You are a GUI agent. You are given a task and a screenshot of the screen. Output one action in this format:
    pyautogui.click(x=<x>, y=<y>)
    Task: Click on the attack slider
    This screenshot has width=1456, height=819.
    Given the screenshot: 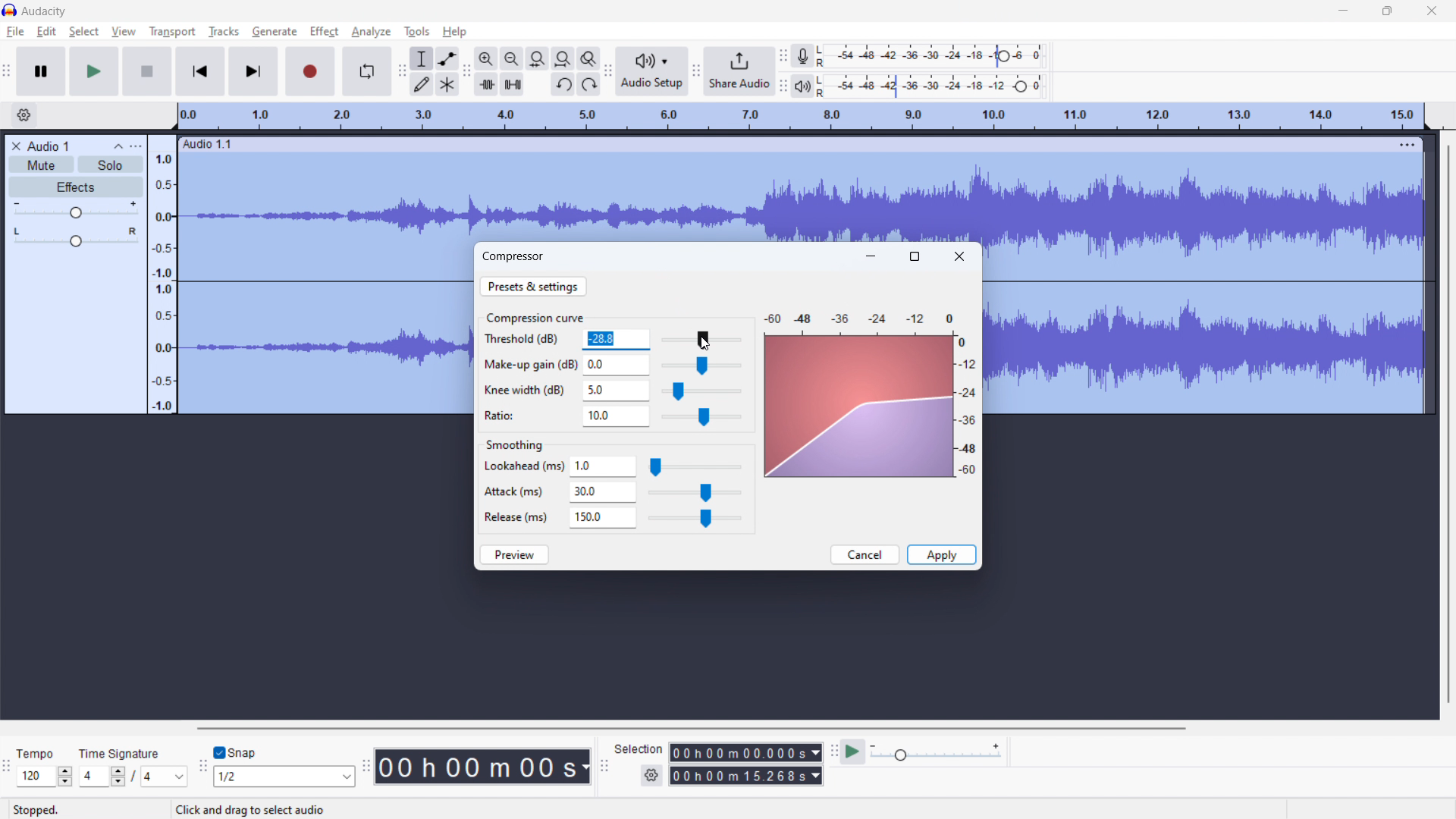 What is the action you would take?
    pyautogui.click(x=695, y=494)
    